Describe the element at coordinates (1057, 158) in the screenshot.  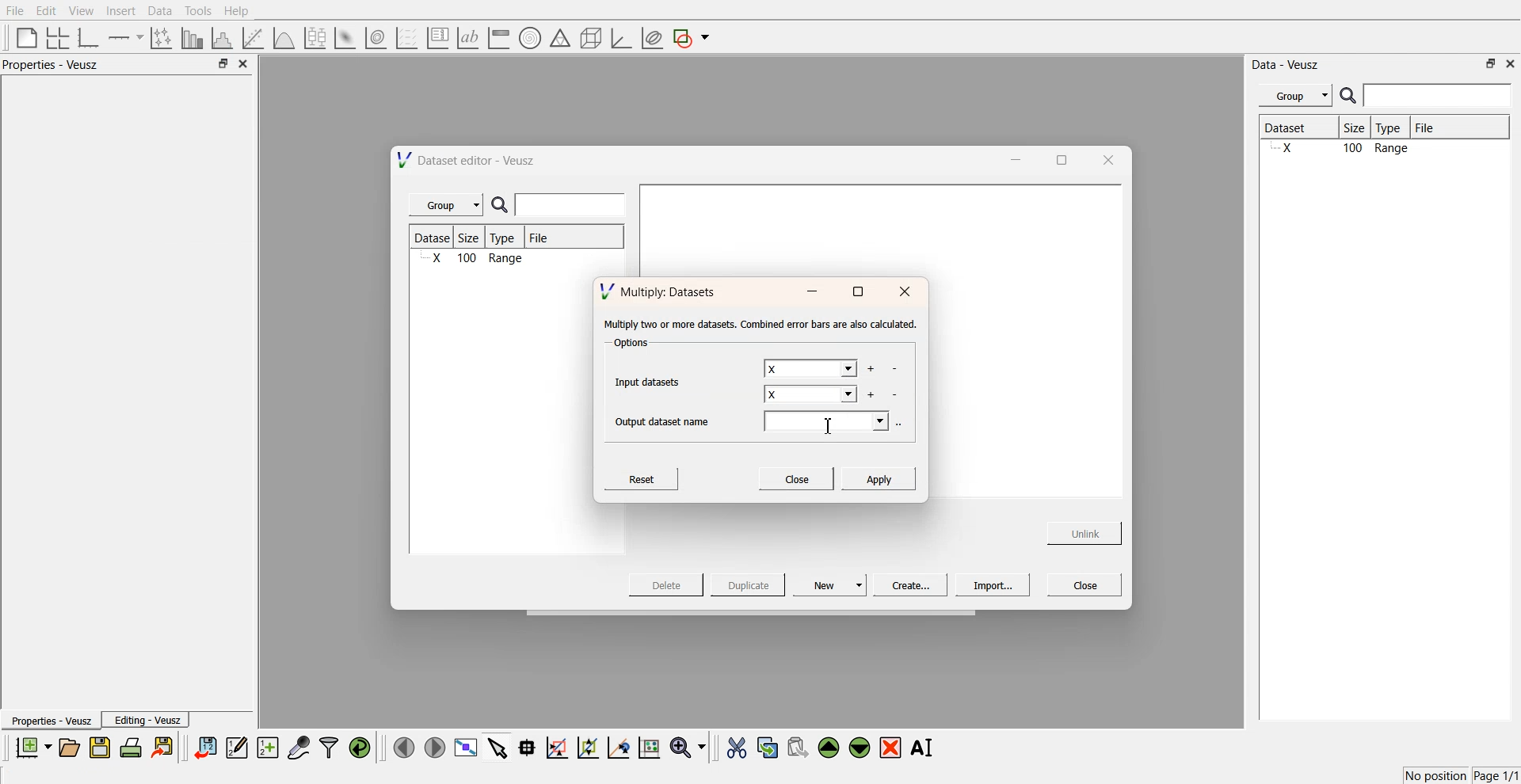
I see `maximise` at that location.